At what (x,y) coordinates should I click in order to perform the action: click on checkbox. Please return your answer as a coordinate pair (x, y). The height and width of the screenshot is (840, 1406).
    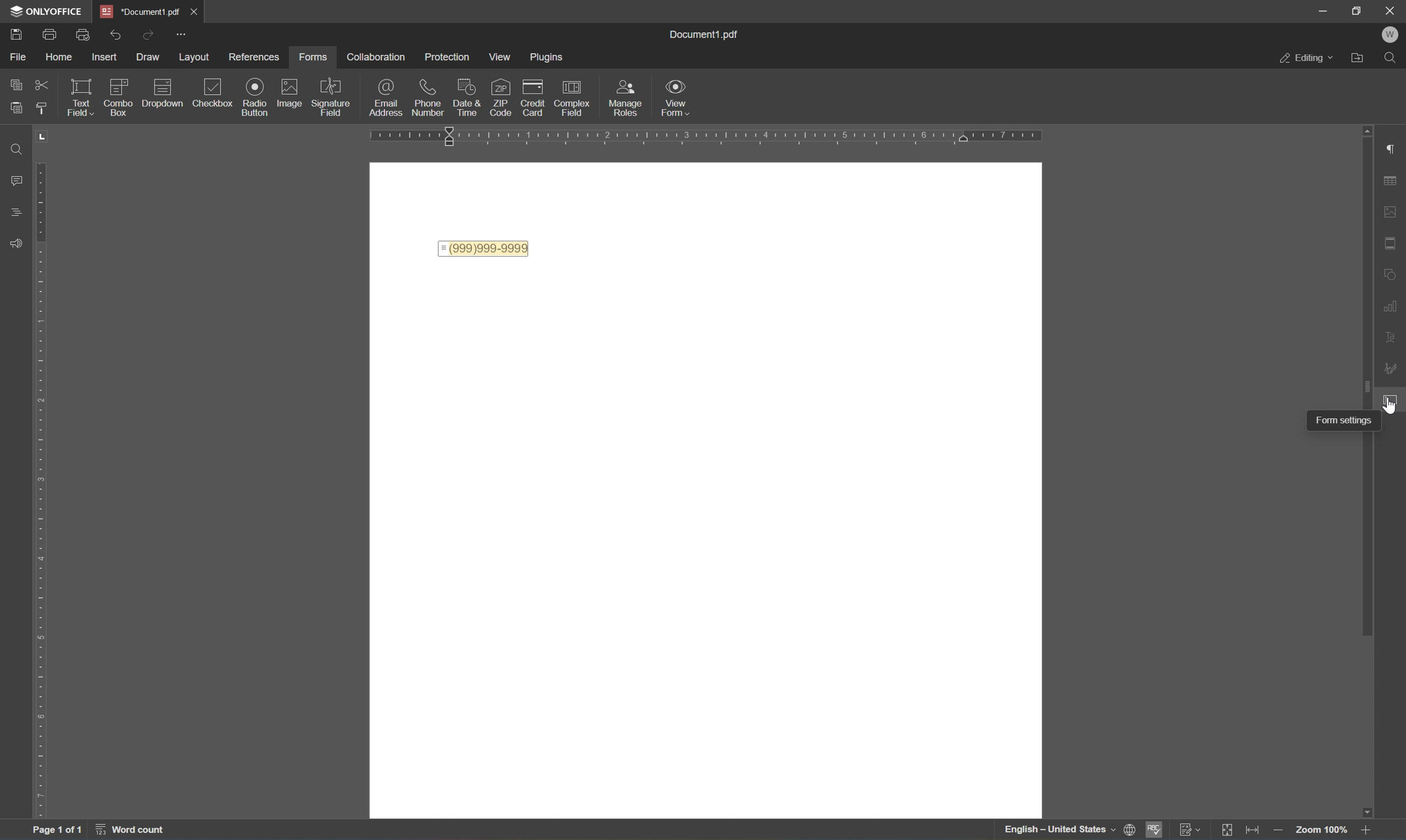
    Looking at the image, I should click on (216, 92).